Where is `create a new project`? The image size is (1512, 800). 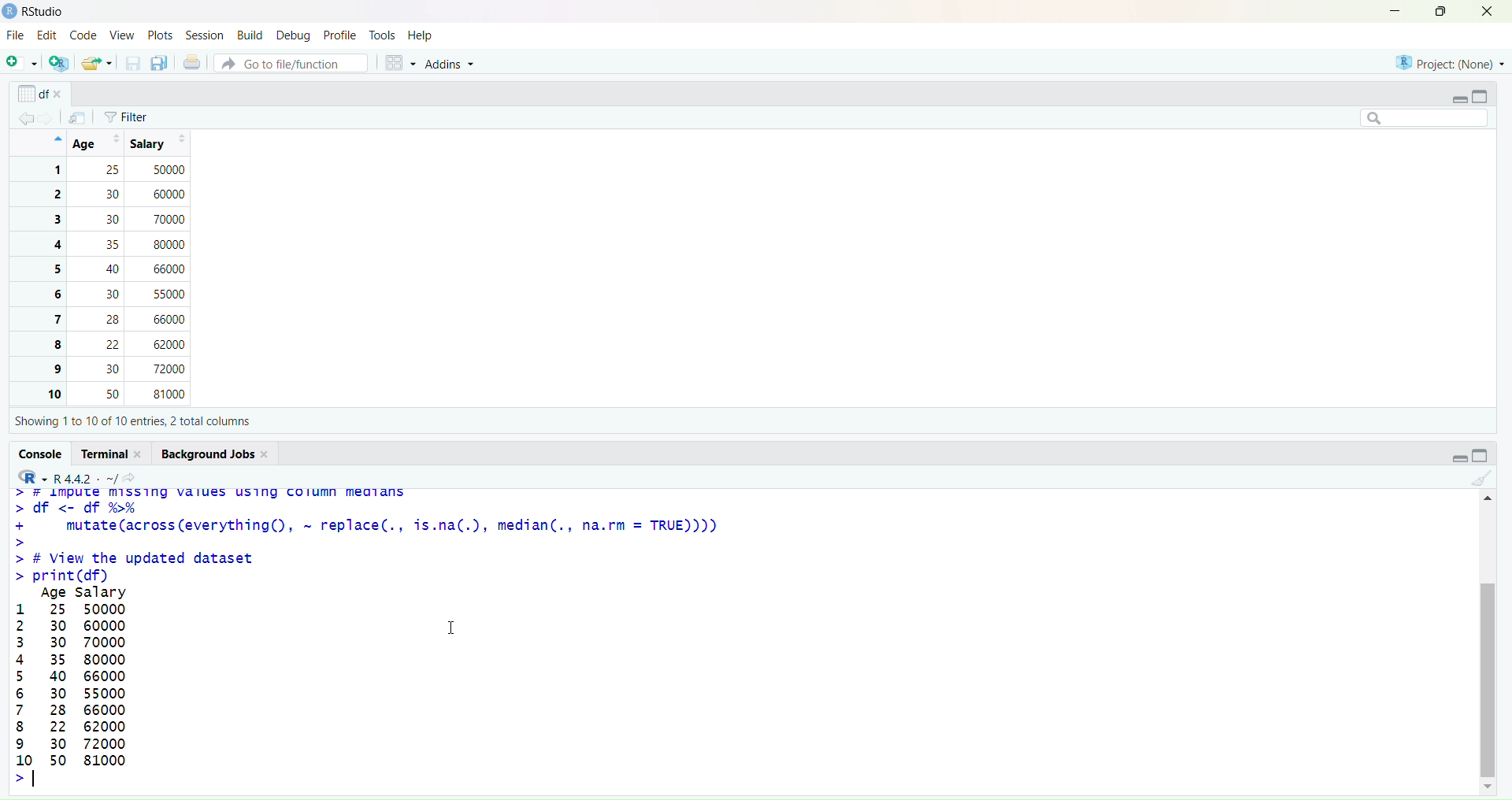 create a new project is located at coordinates (58, 64).